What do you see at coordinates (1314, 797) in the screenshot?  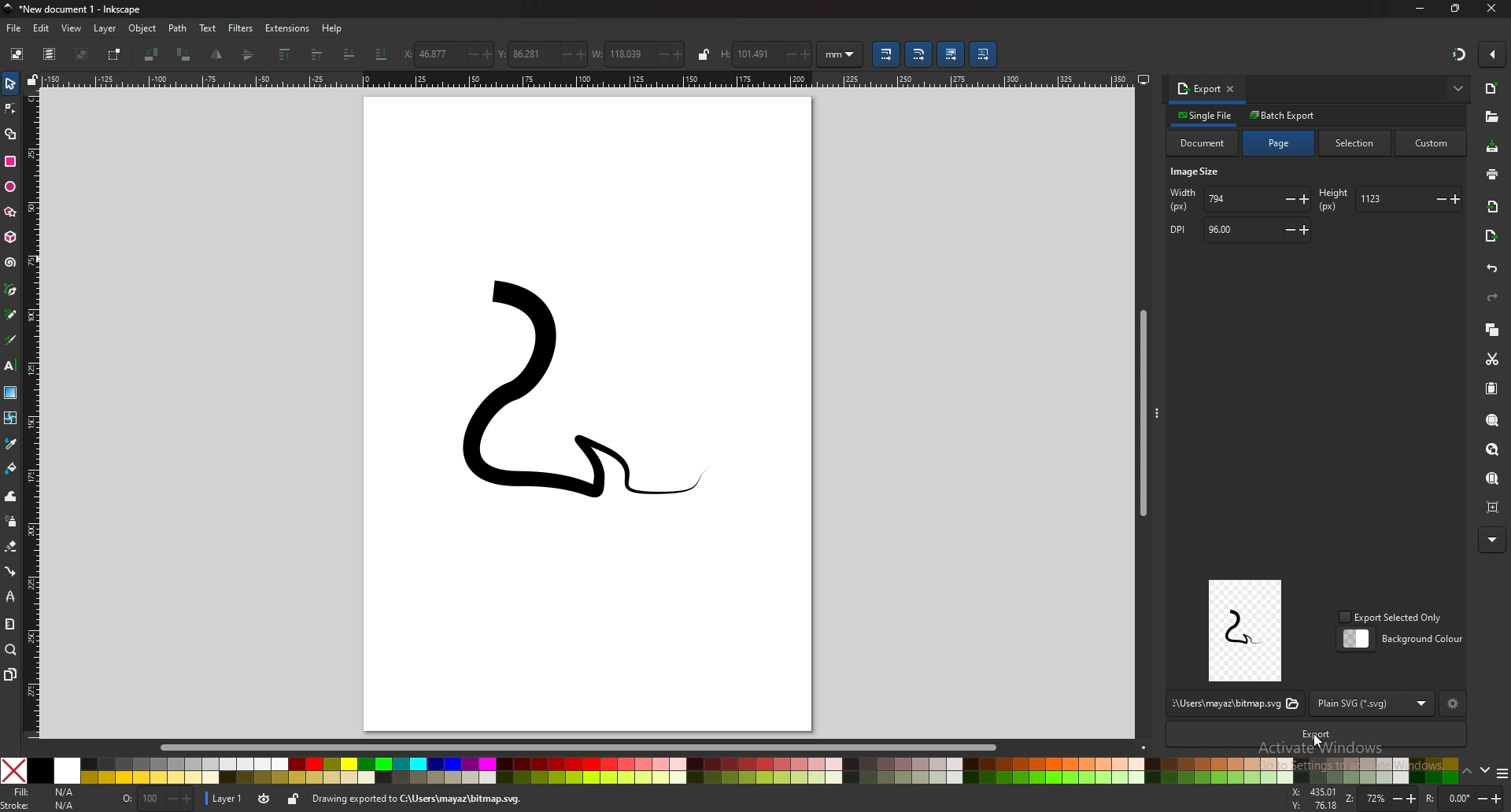 I see `x or y coordinates` at bounding box center [1314, 797].